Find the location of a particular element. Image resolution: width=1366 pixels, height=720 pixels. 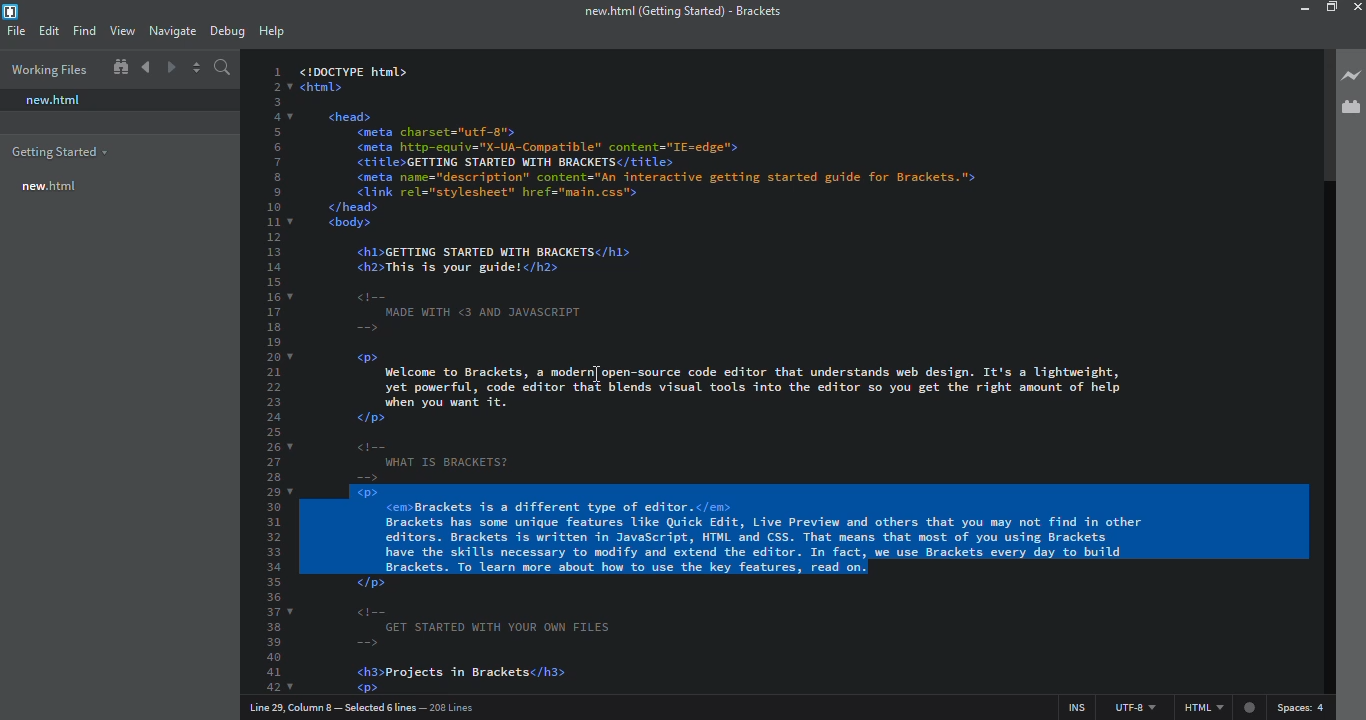

find is located at coordinates (84, 28).